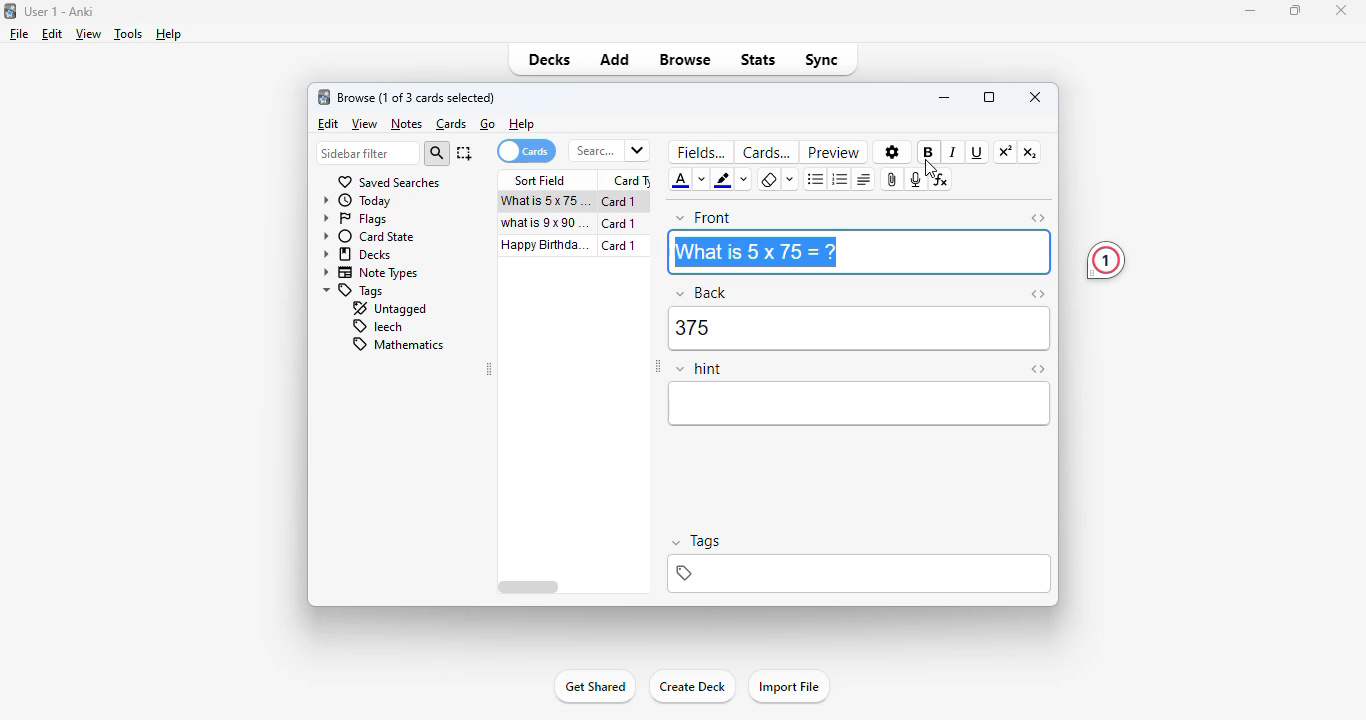 This screenshot has height=720, width=1366. I want to click on italic, so click(954, 152).